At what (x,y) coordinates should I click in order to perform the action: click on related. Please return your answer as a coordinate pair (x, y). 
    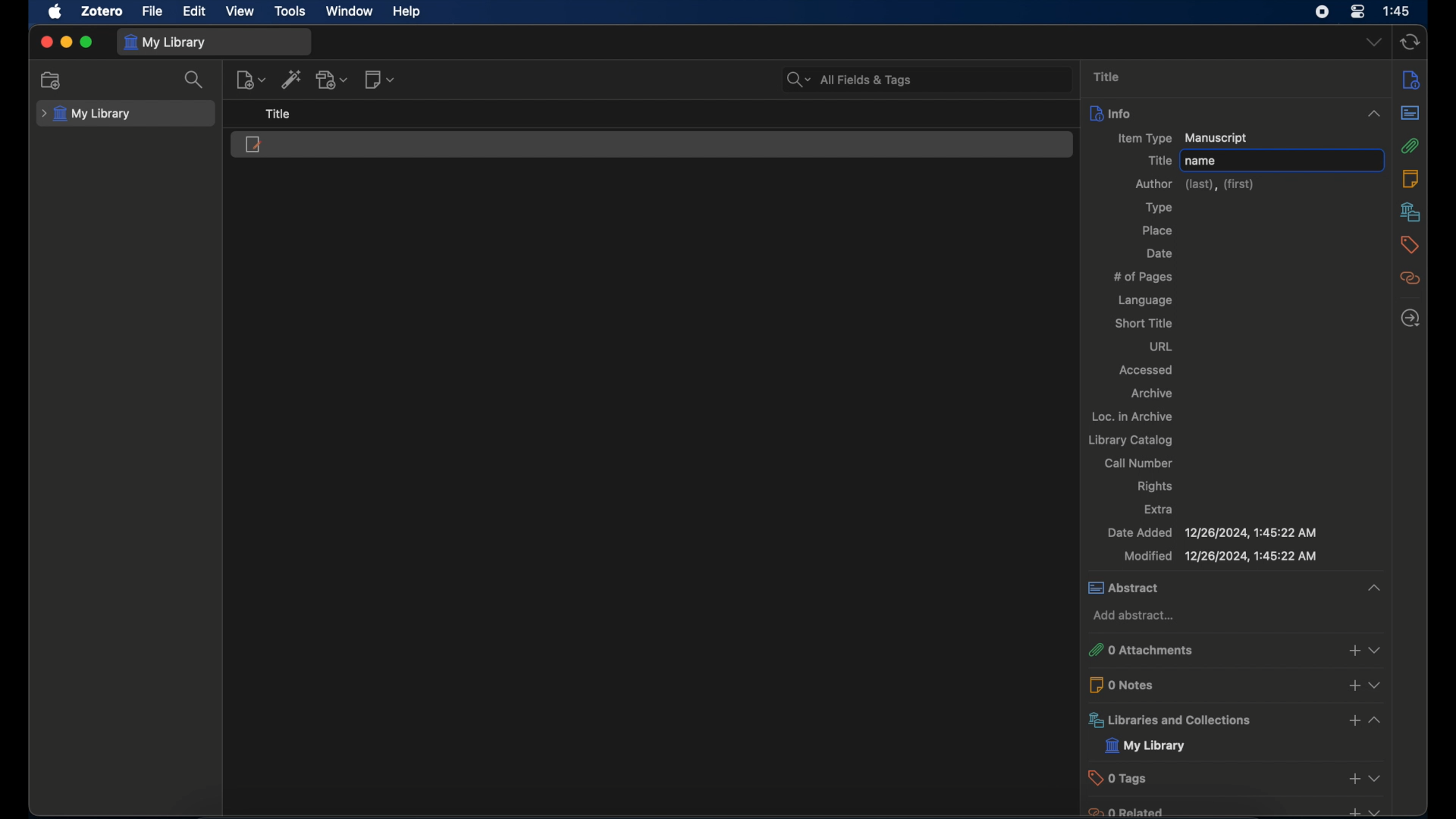
    Looking at the image, I should click on (1410, 278).